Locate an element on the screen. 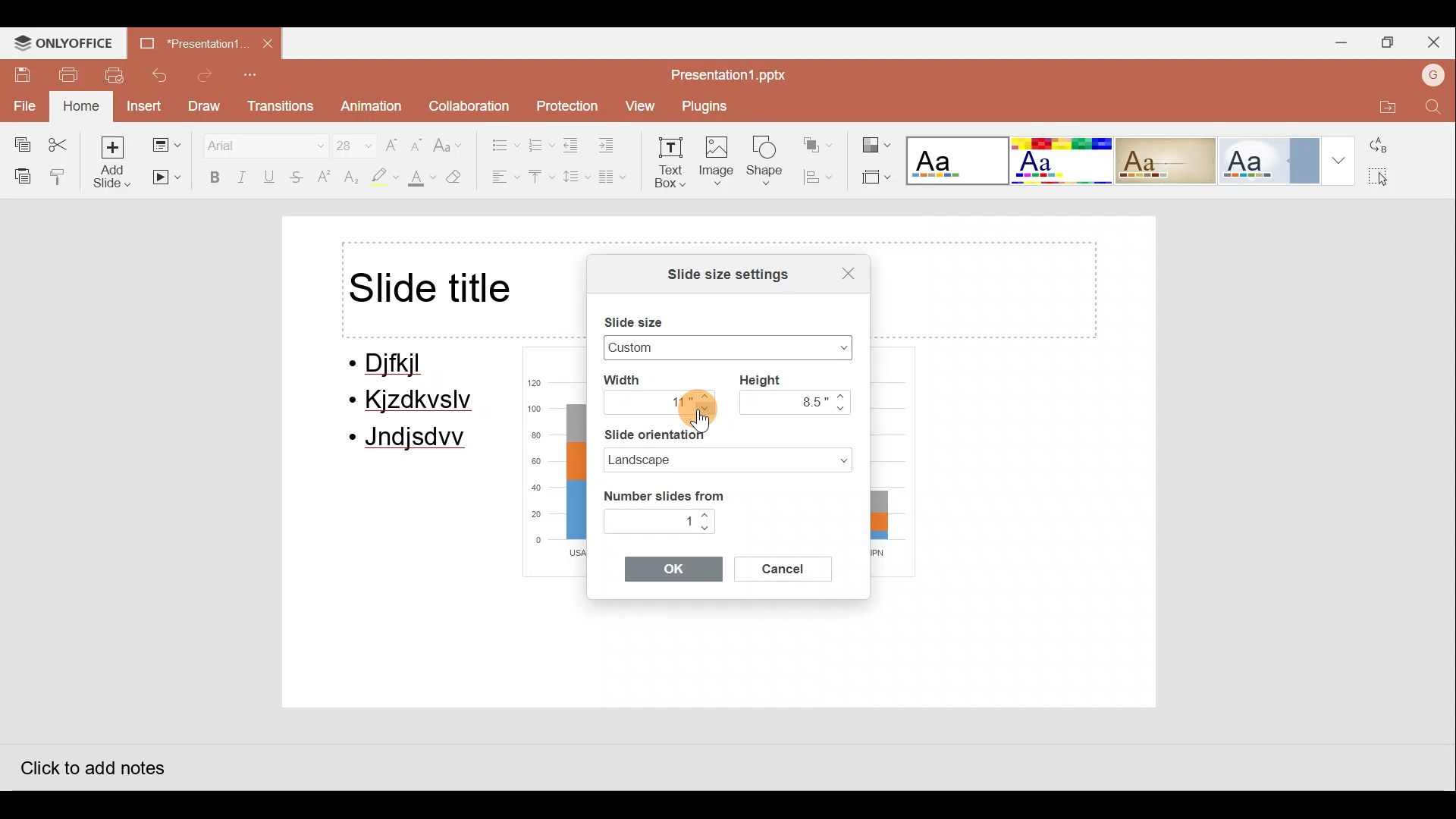 Image resolution: width=1456 pixels, height=819 pixels. Image is located at coordinates (718, 164).